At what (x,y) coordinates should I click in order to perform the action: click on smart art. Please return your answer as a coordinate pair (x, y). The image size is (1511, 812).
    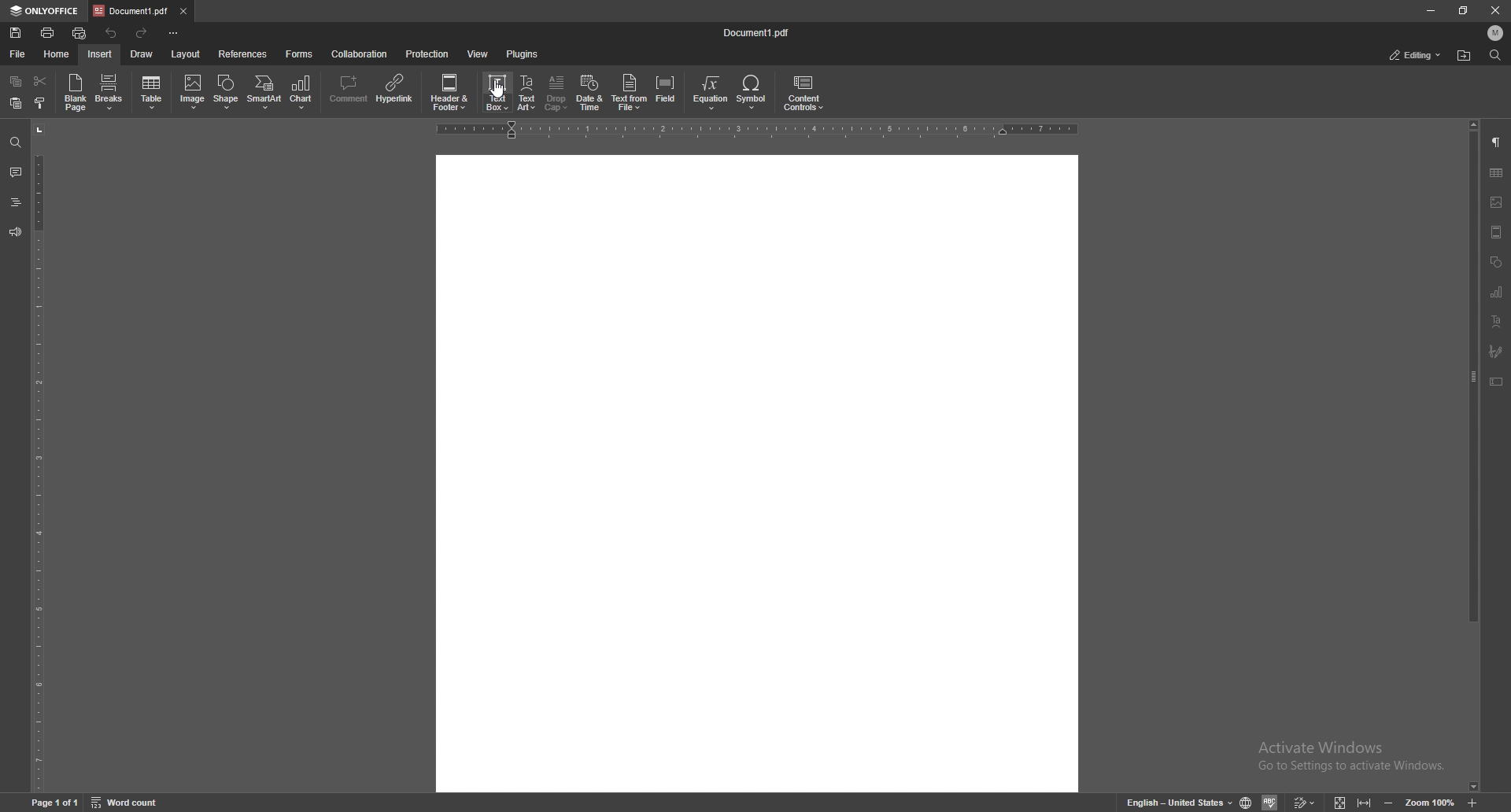
    Looking at the image, I should click on (264, 92).